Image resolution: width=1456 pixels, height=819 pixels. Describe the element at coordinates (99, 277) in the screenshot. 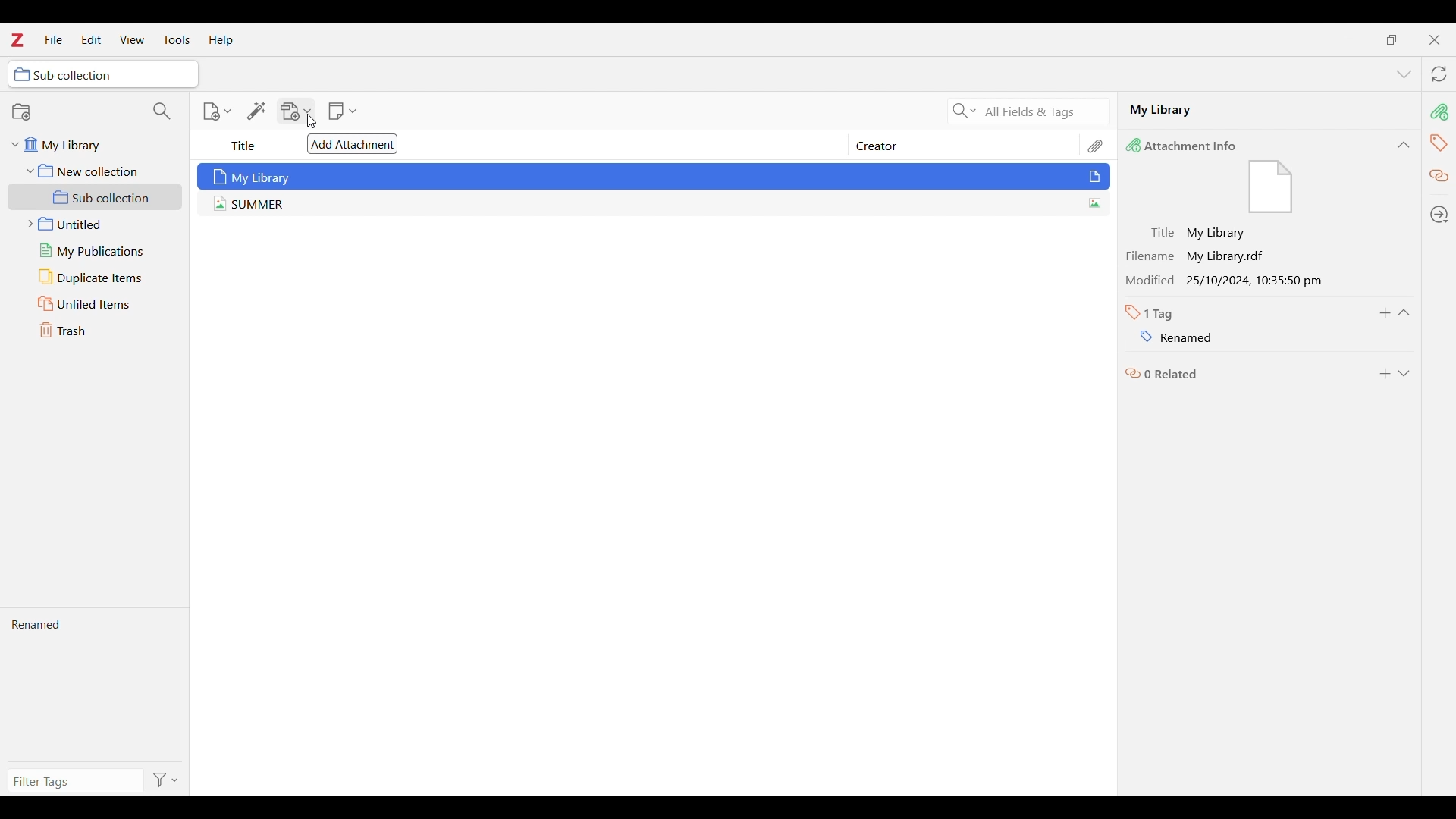

I see `Duplicate items folder` at that location.